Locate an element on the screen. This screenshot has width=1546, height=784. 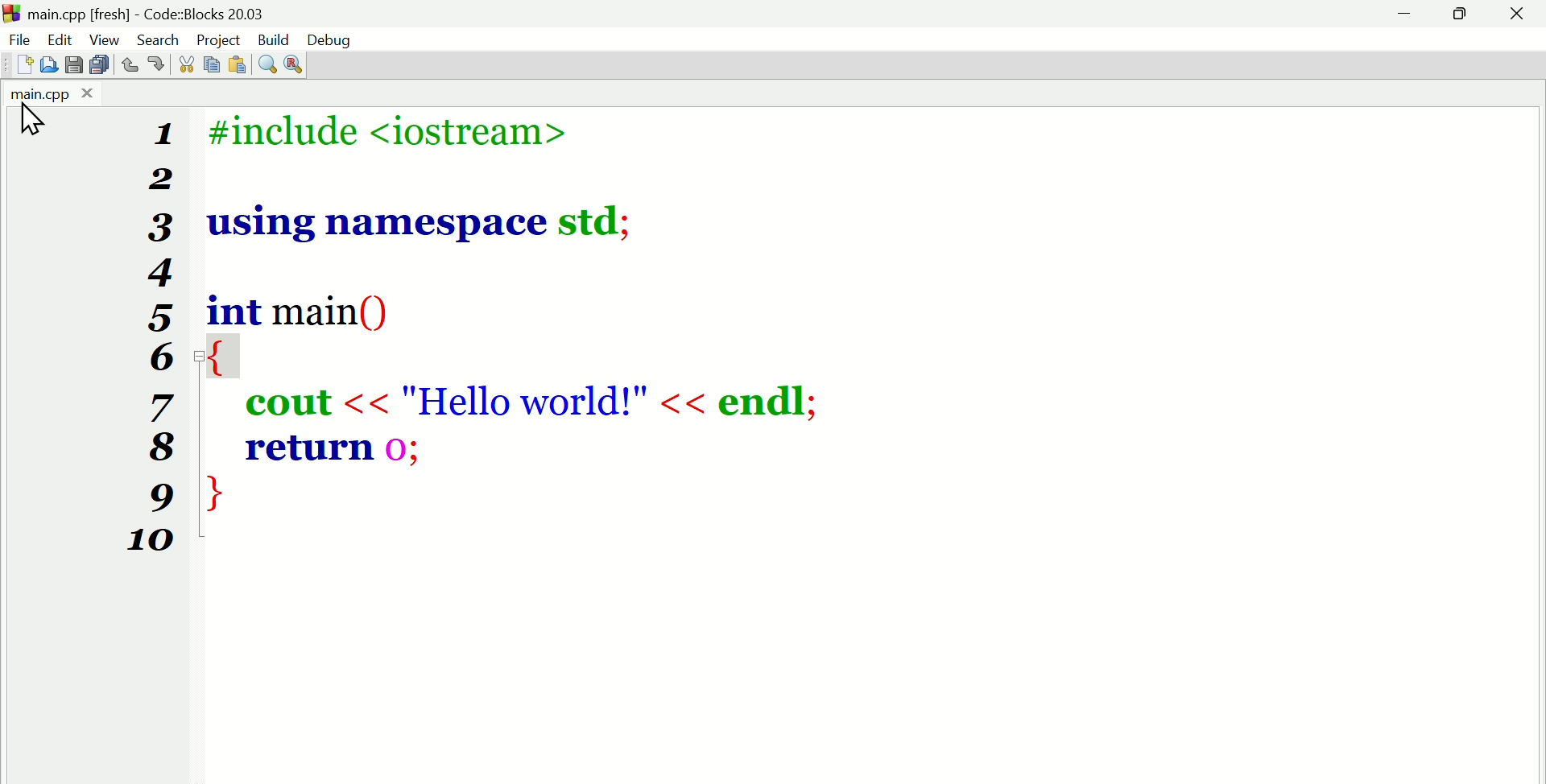
Cut is located at coordinates (183, 64).